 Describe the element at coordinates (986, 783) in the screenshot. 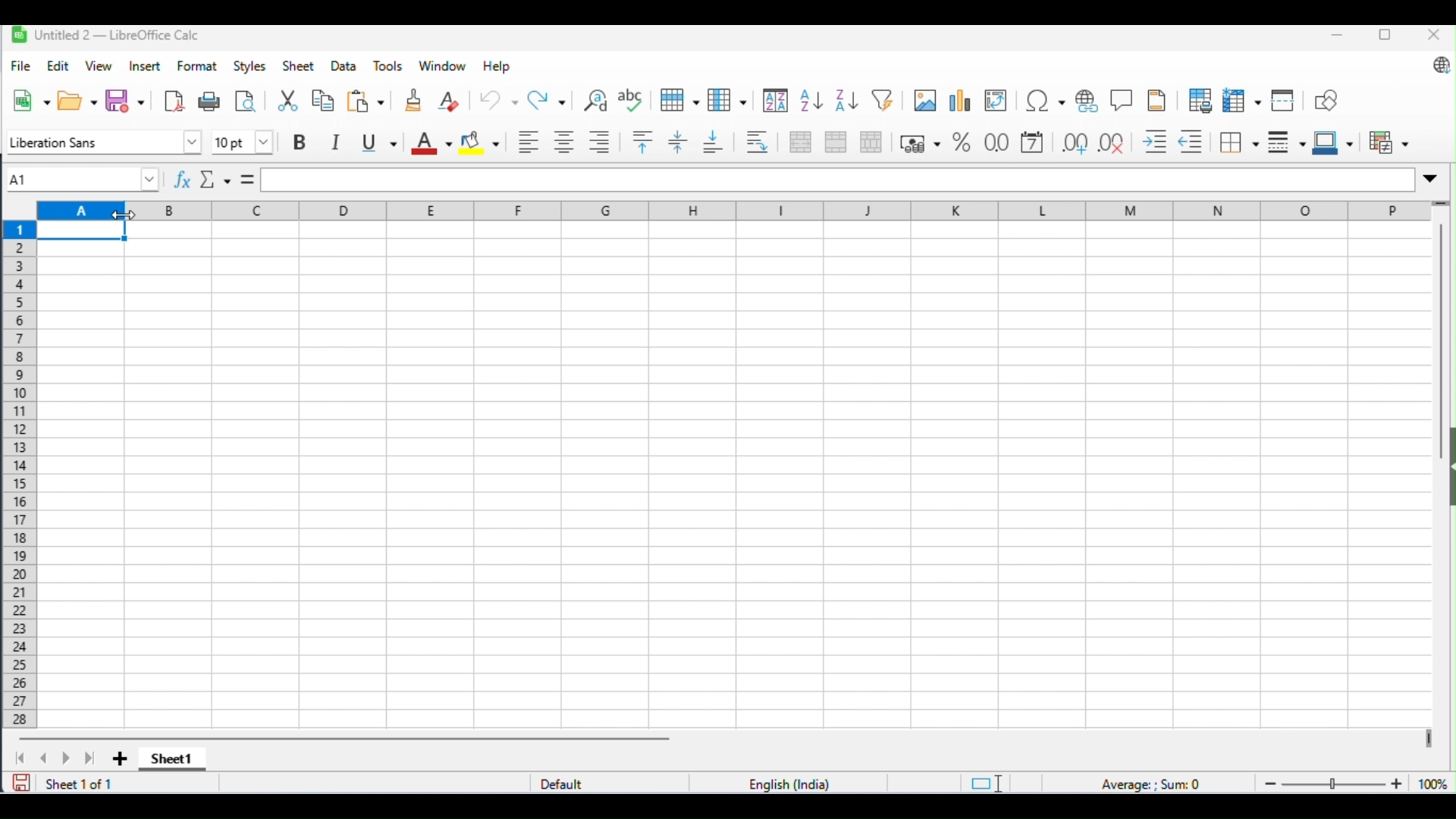

I see `standard selection` at that location.